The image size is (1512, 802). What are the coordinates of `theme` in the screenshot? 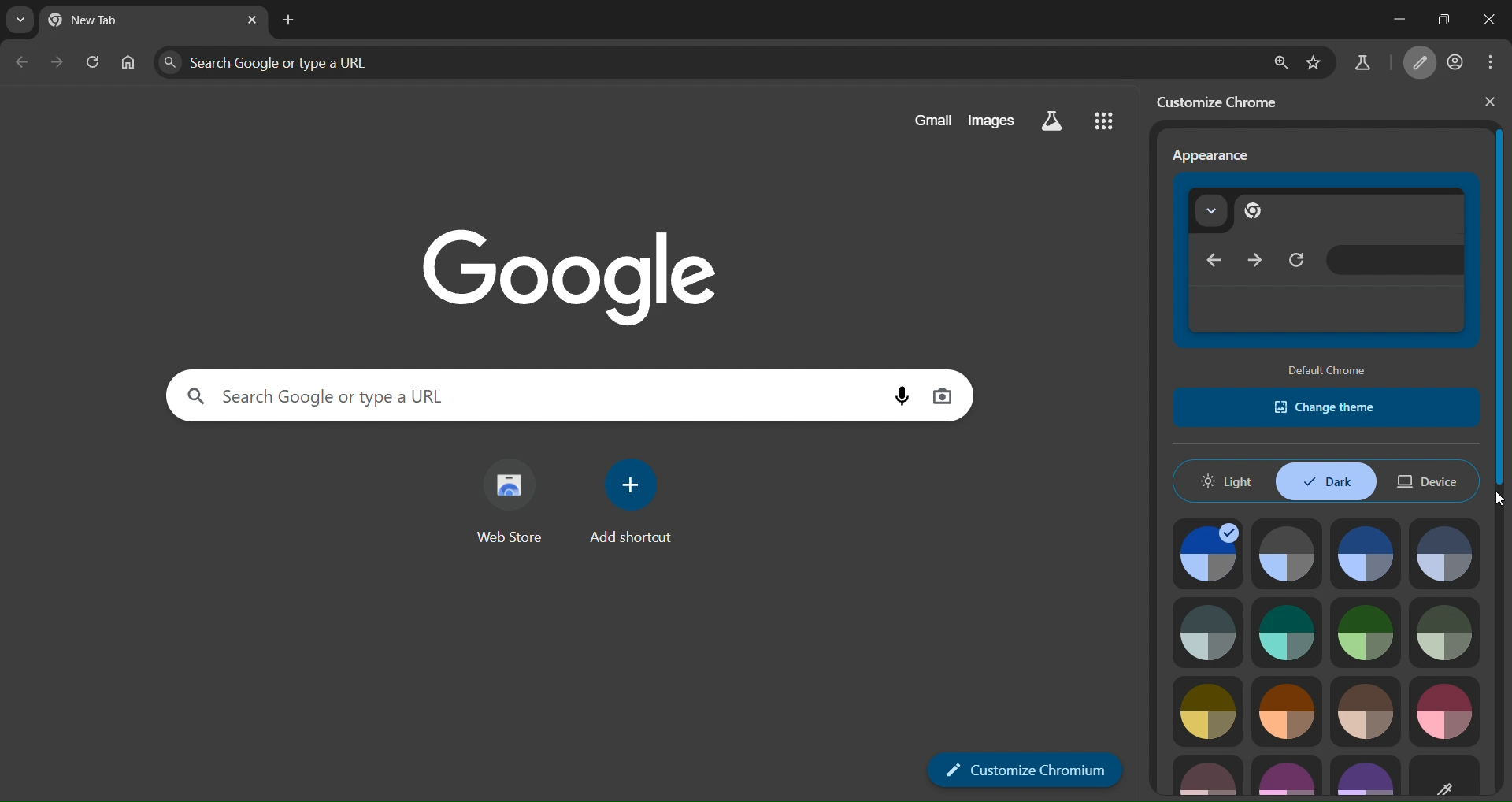 It's located at (1367, 554).